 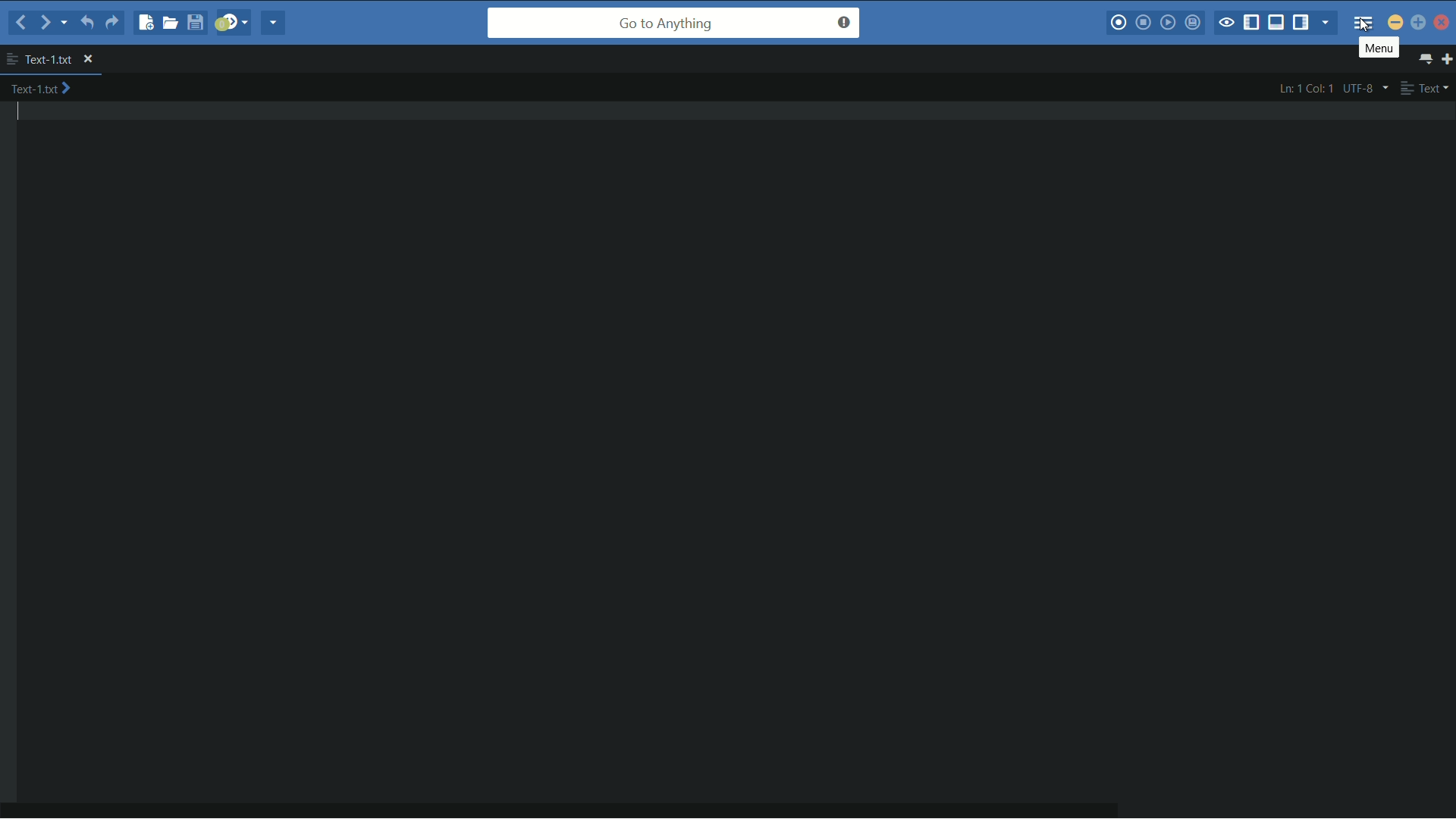 What do you see at coordinates (47, 89) in the screenshot?
I see `text-1.txt` at bounding box center [47, 89].